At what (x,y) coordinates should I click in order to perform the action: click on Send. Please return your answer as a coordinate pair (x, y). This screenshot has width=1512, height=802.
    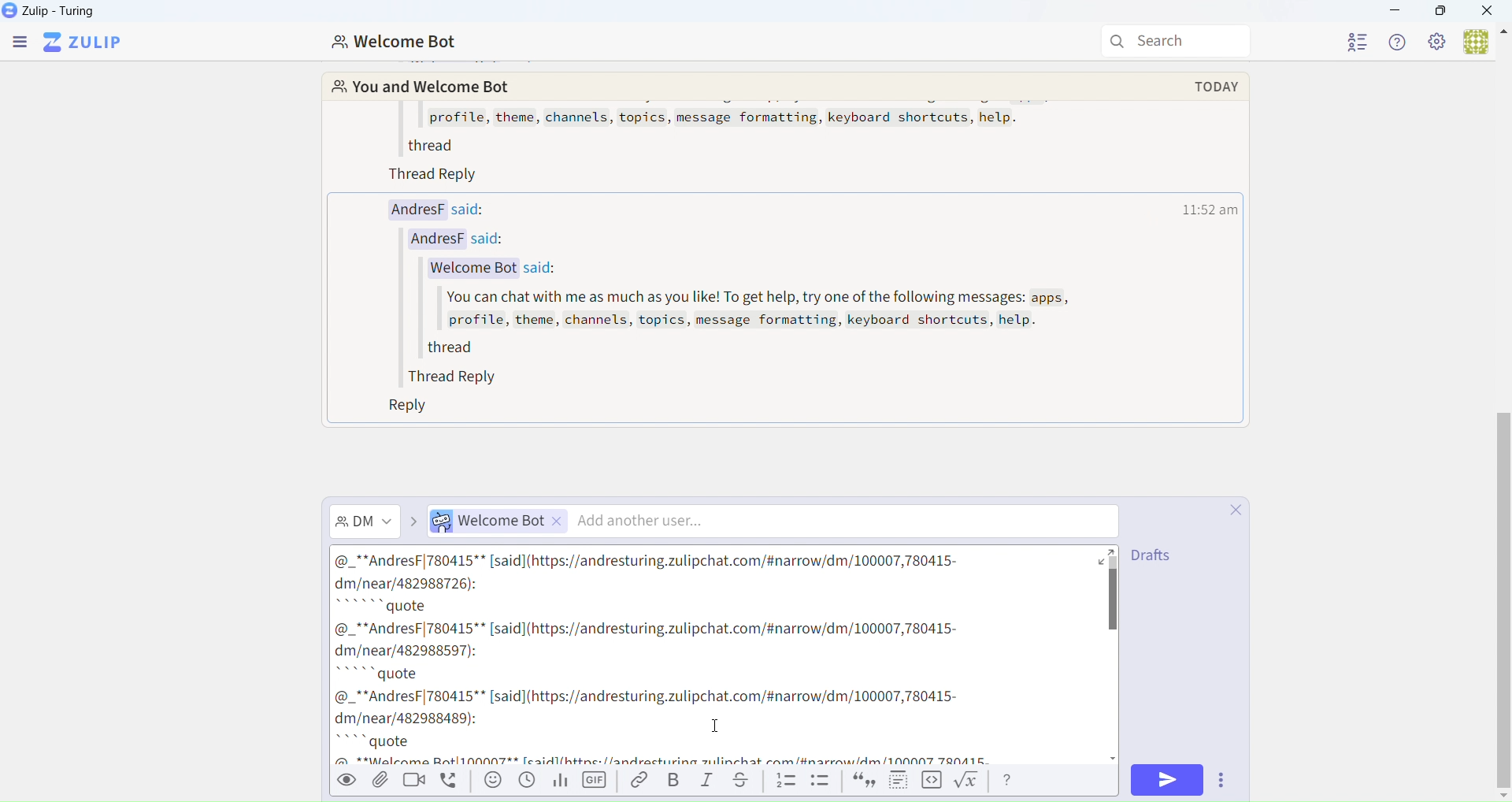
    Looking at the image, I should click on (1165, 782).